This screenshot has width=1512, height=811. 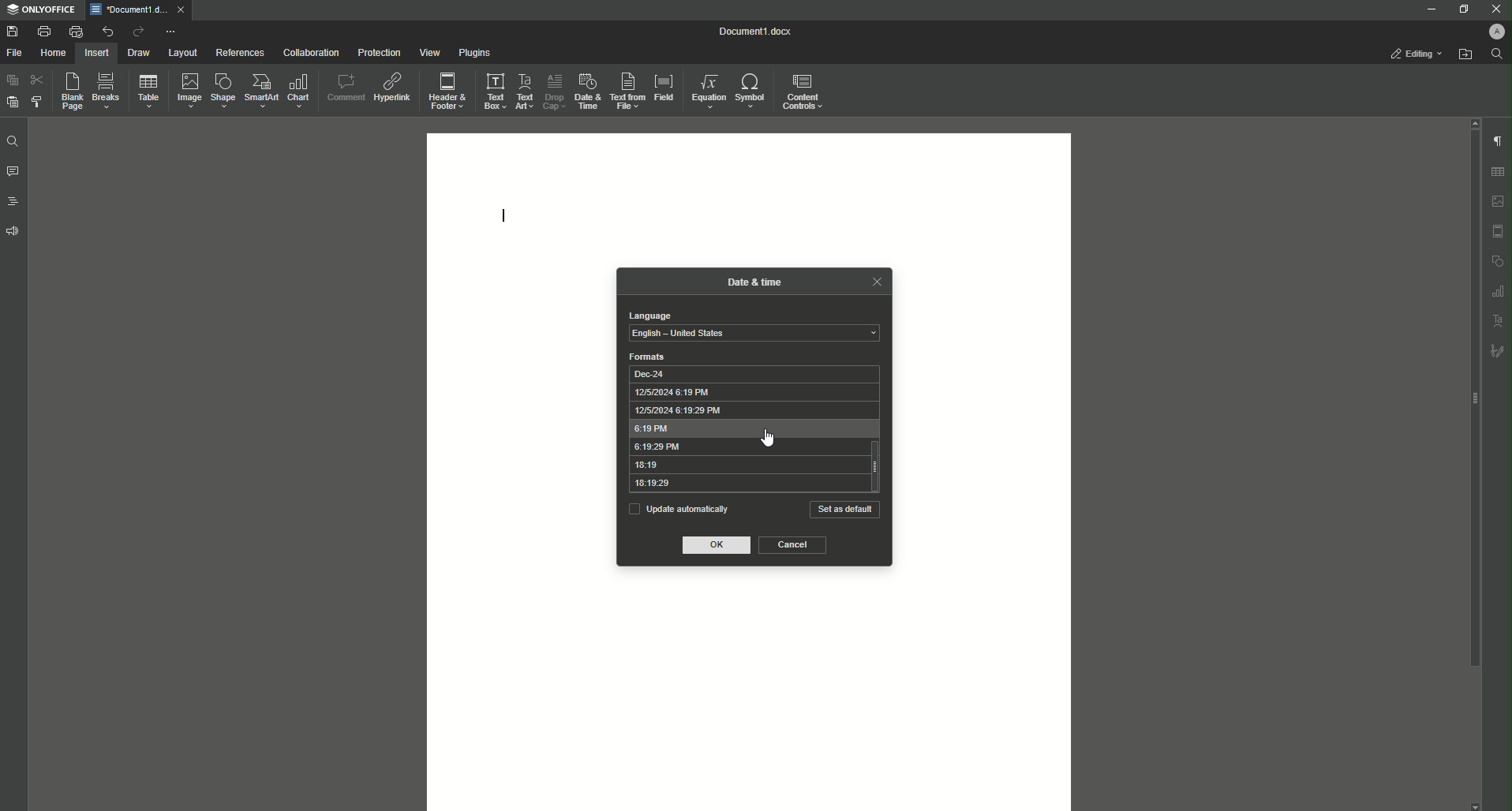 I want to click on Print, so click(x=43, y=31).